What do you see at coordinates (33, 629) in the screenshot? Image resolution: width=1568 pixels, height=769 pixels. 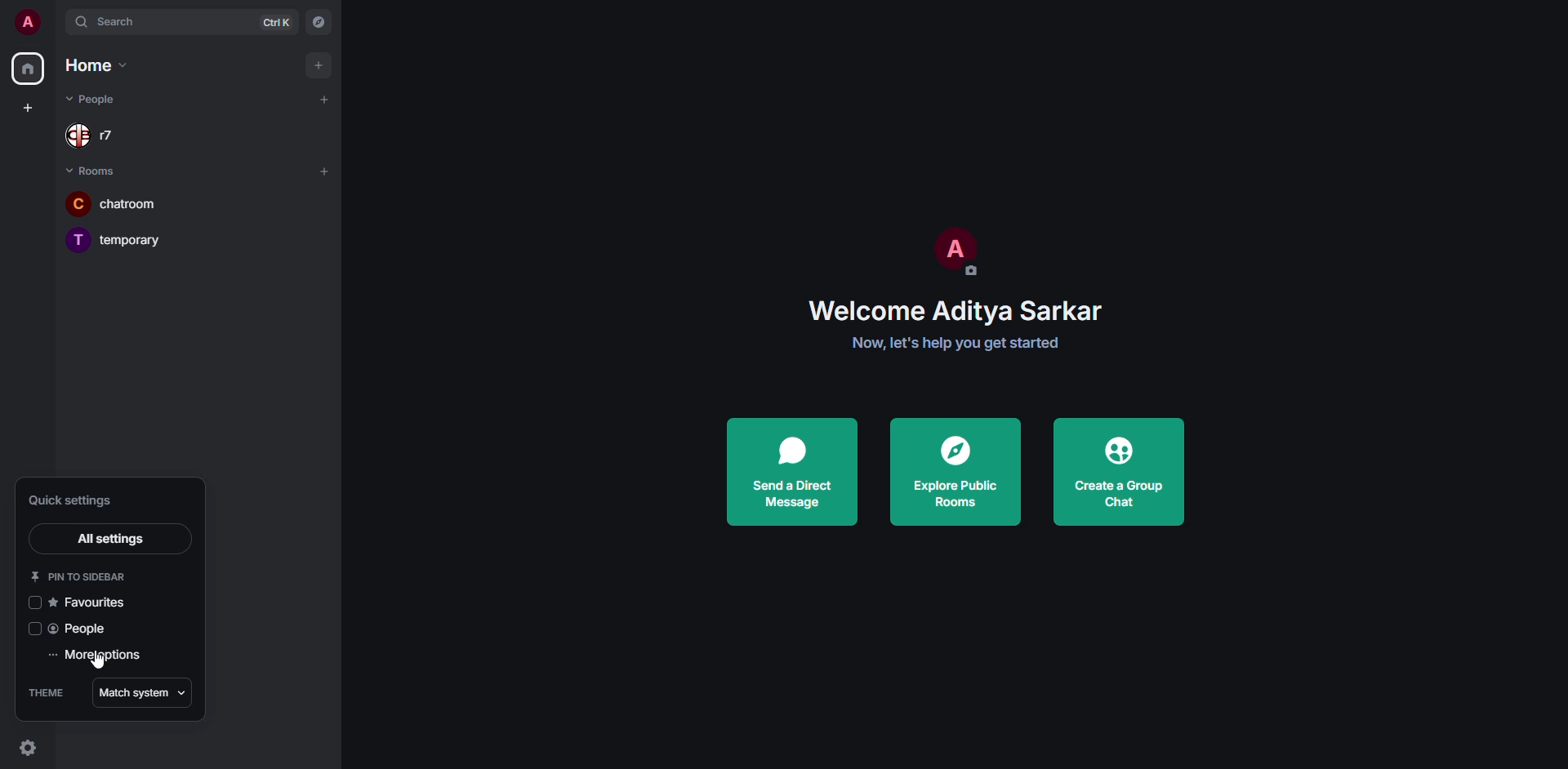 I see `click to enable` at bounding box center [33, 629].